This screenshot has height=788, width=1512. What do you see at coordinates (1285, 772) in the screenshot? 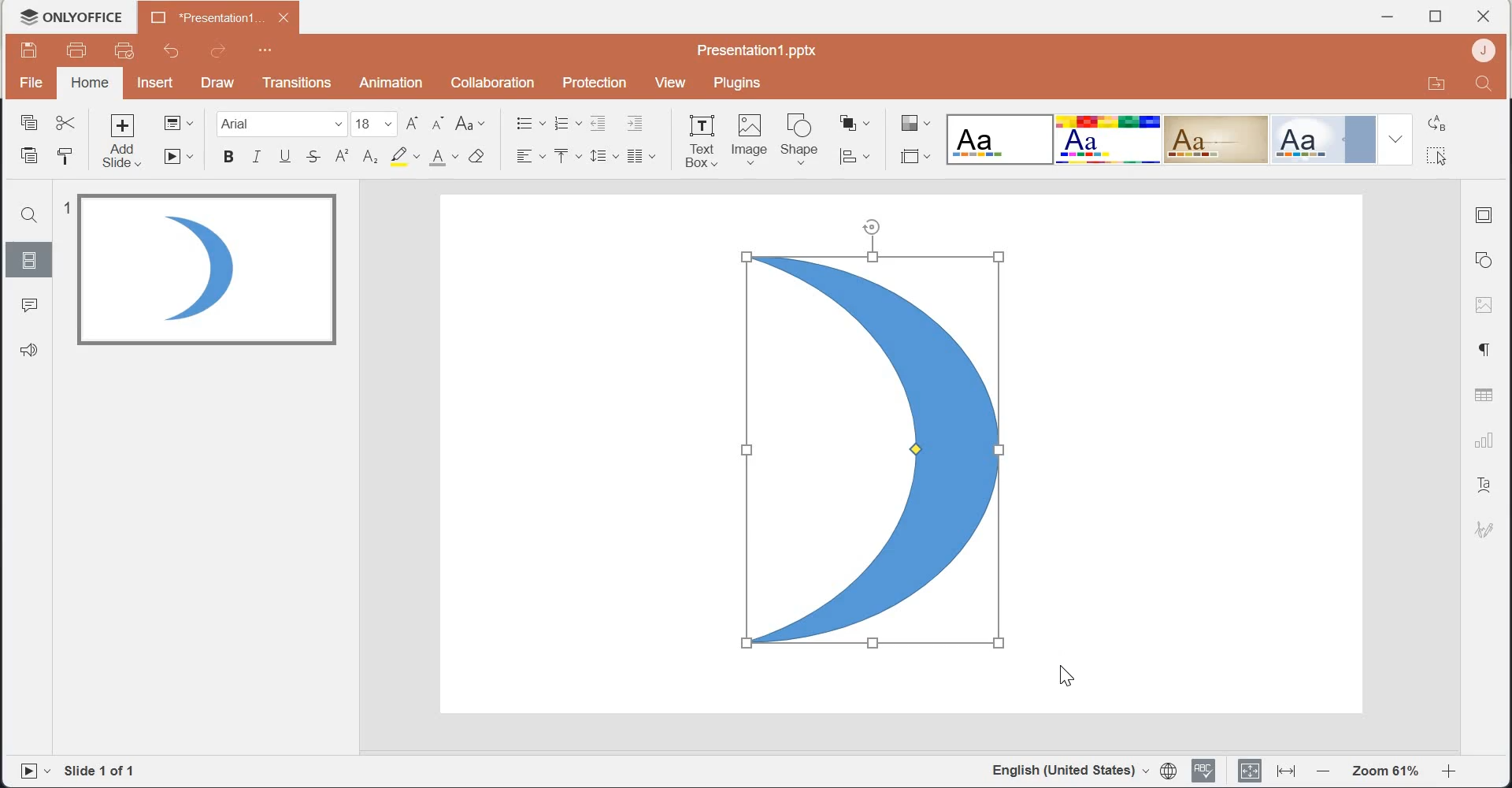
I see `Fit to width` at bounding box center [1285, 772].